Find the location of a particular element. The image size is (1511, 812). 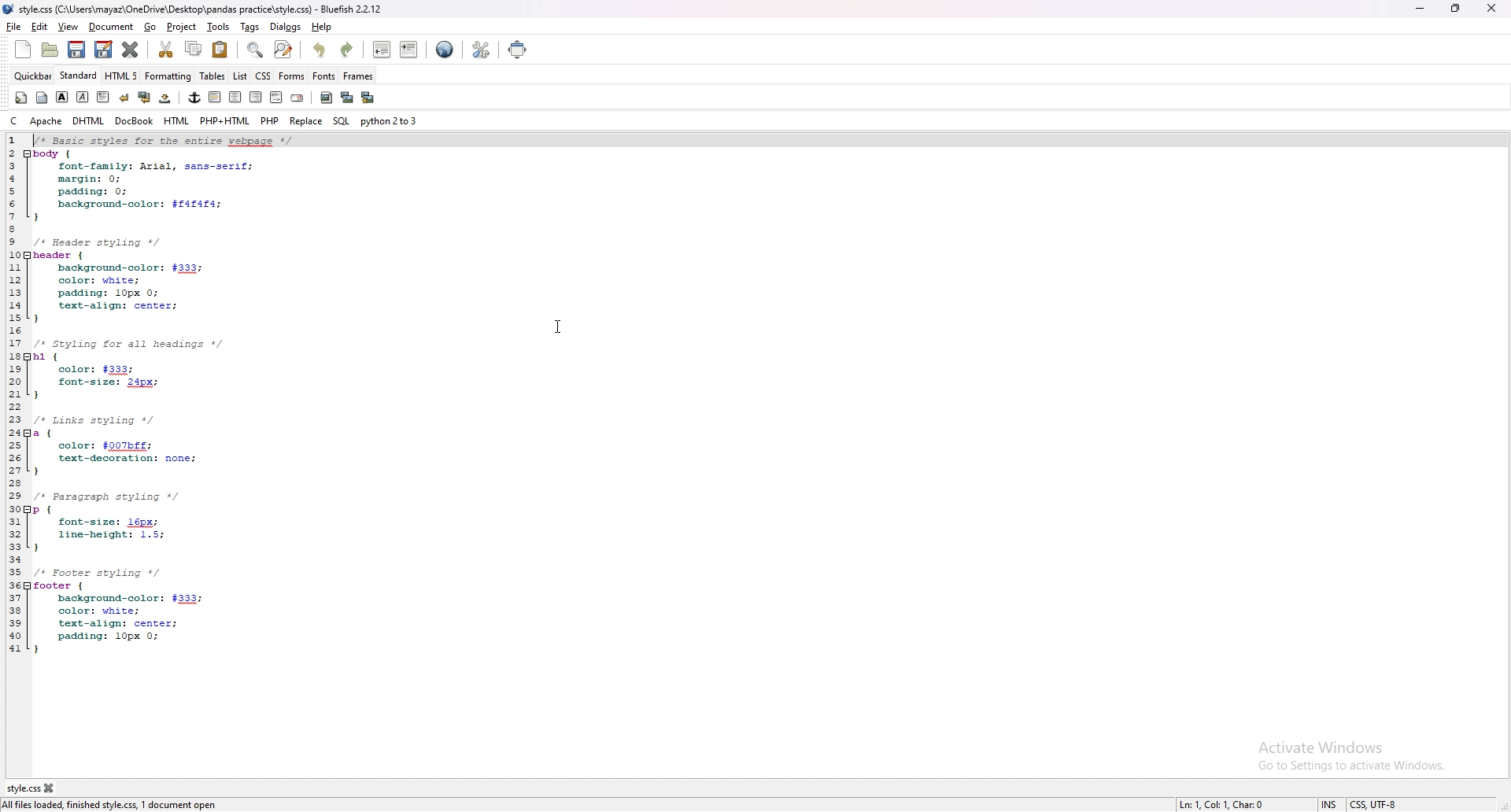

php is located at coordinates (271, 121).